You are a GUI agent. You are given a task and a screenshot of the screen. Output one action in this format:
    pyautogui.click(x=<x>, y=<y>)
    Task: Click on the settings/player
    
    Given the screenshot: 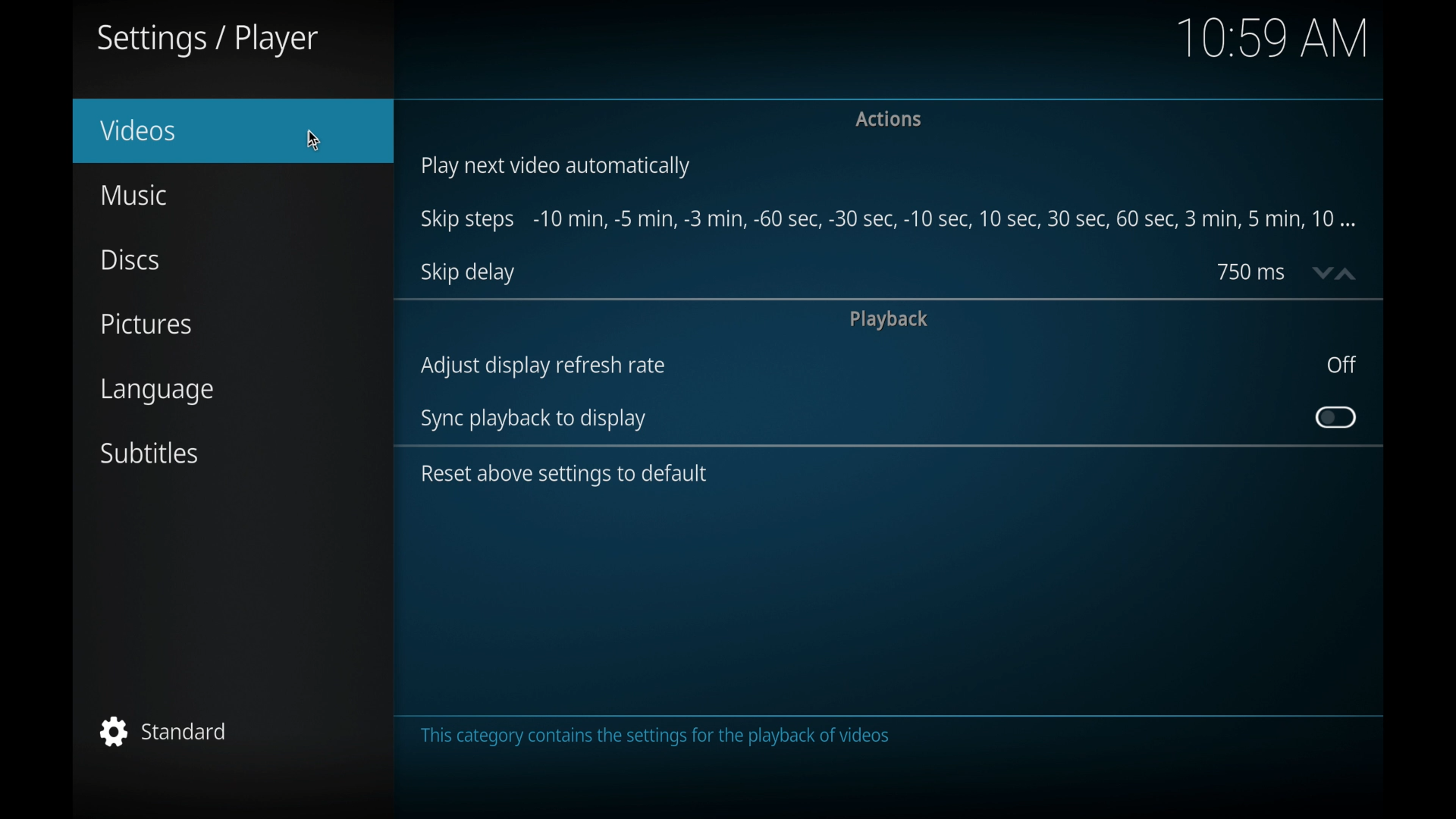 What is the action you would take?
    pyautogui.click(x=209, y=40)
    